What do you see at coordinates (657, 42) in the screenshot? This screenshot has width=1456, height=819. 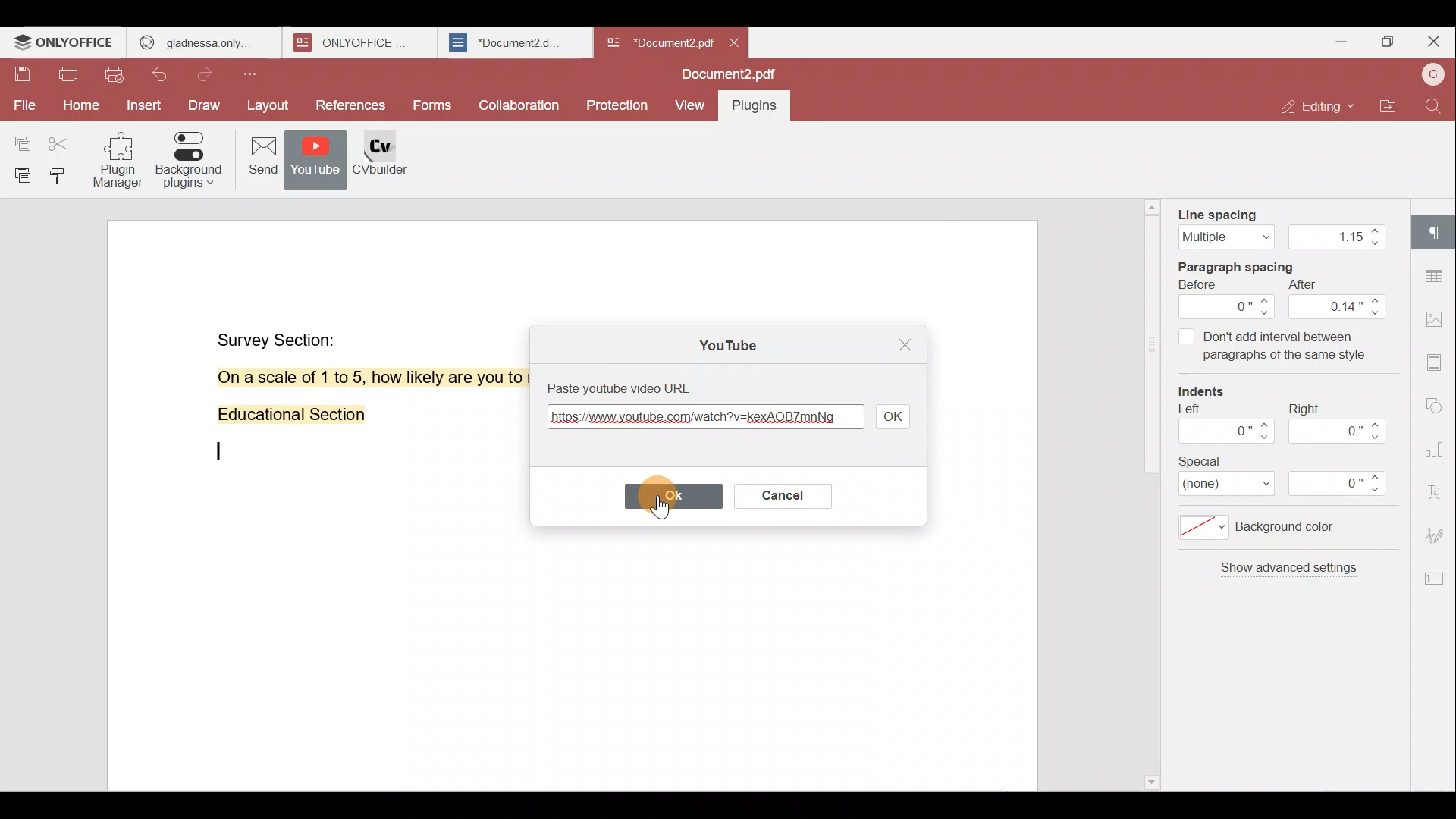 I see `Document2.pdf` at bounding box center [657, 42].